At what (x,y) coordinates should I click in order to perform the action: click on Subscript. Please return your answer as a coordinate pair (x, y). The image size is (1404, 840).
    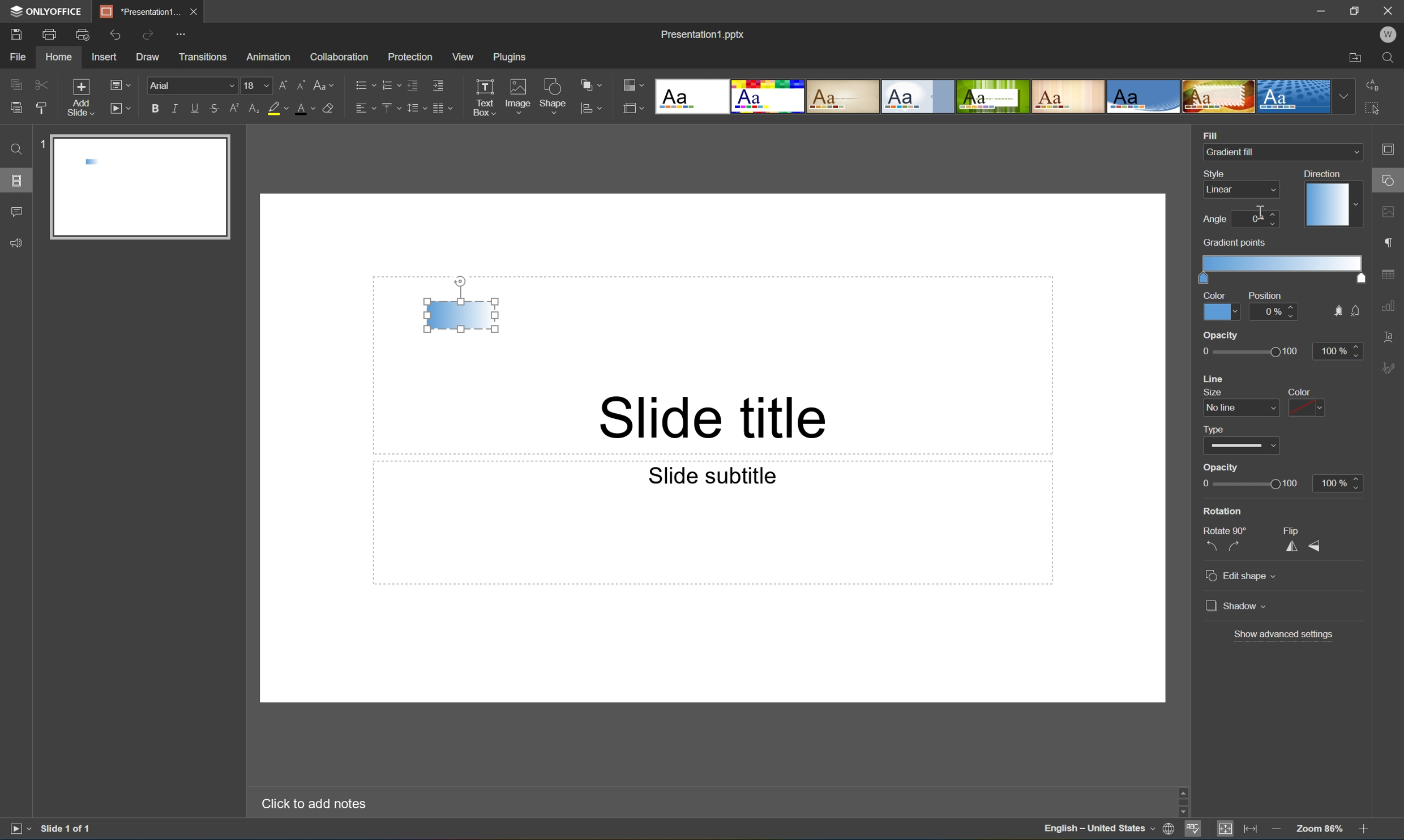
    Looking at the image, I should click on (252, 109).